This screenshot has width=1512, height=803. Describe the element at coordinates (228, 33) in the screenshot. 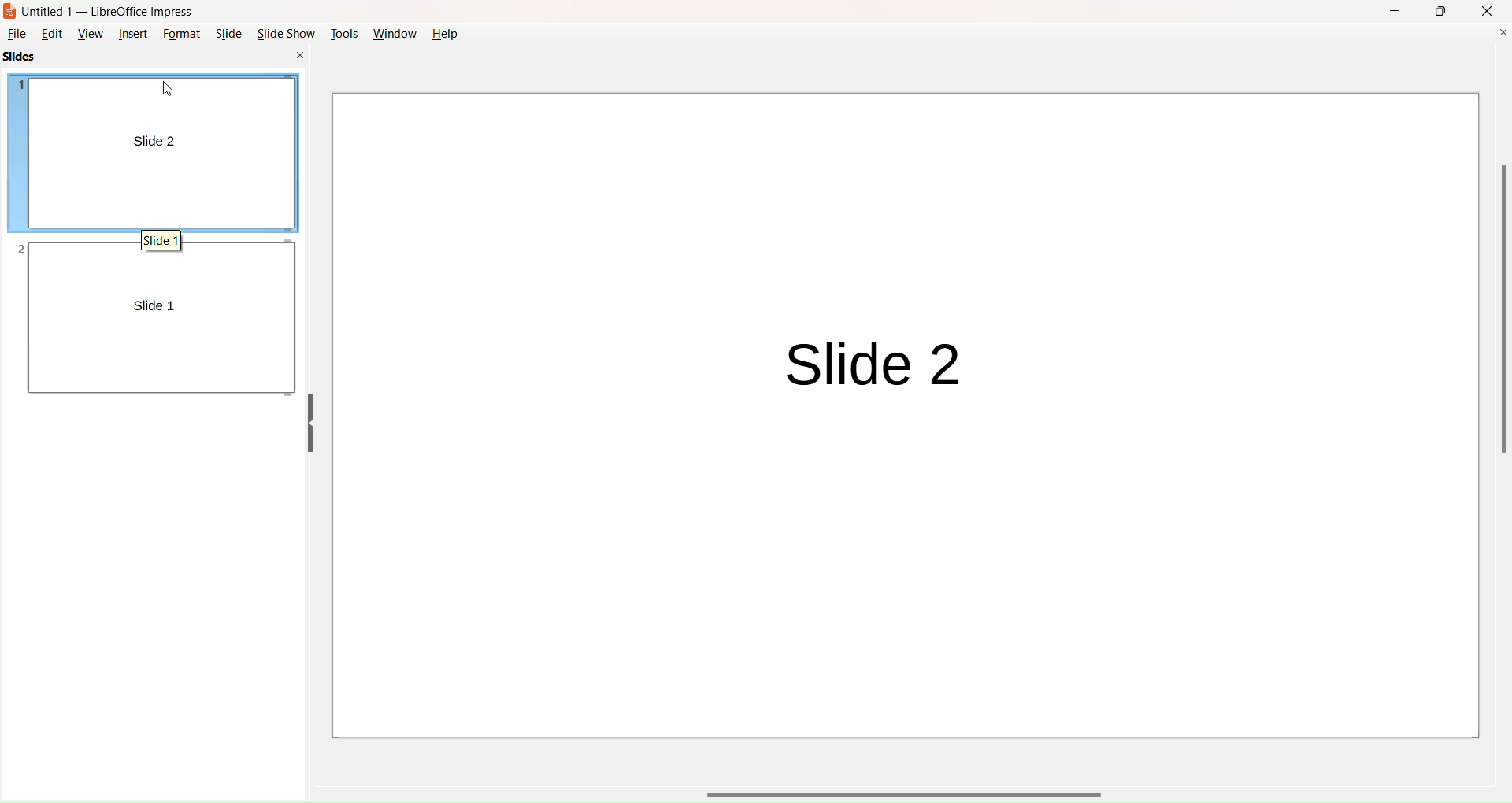

I see `slide` at that location.